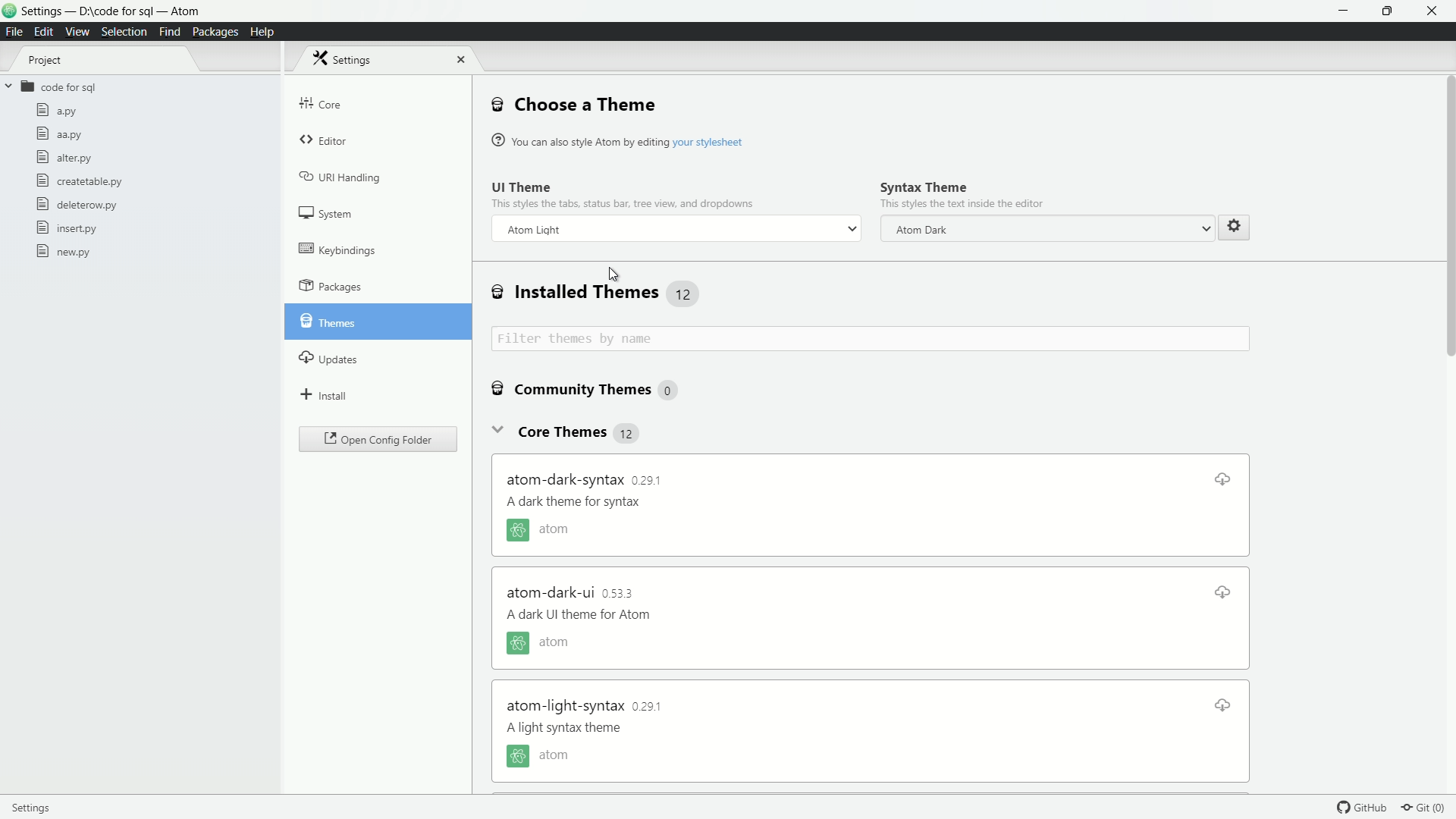 This screenshot has width=1456, height=819. What do you see at coordinates (1221, 588) in the screenshot?
I see `download` at bounding box center [1221, 588].